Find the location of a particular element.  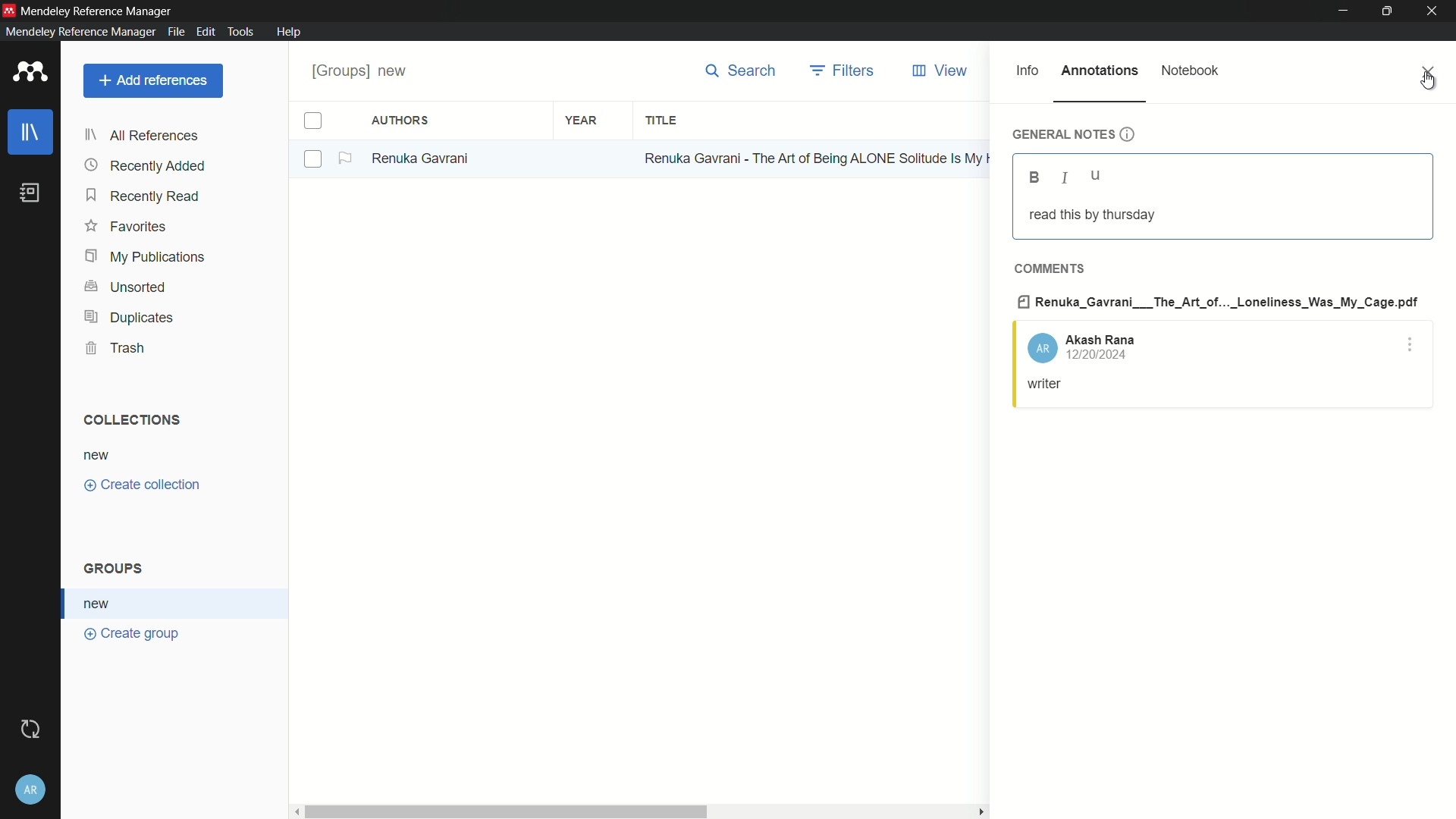

un(select) is located at coordinates (314, 160).